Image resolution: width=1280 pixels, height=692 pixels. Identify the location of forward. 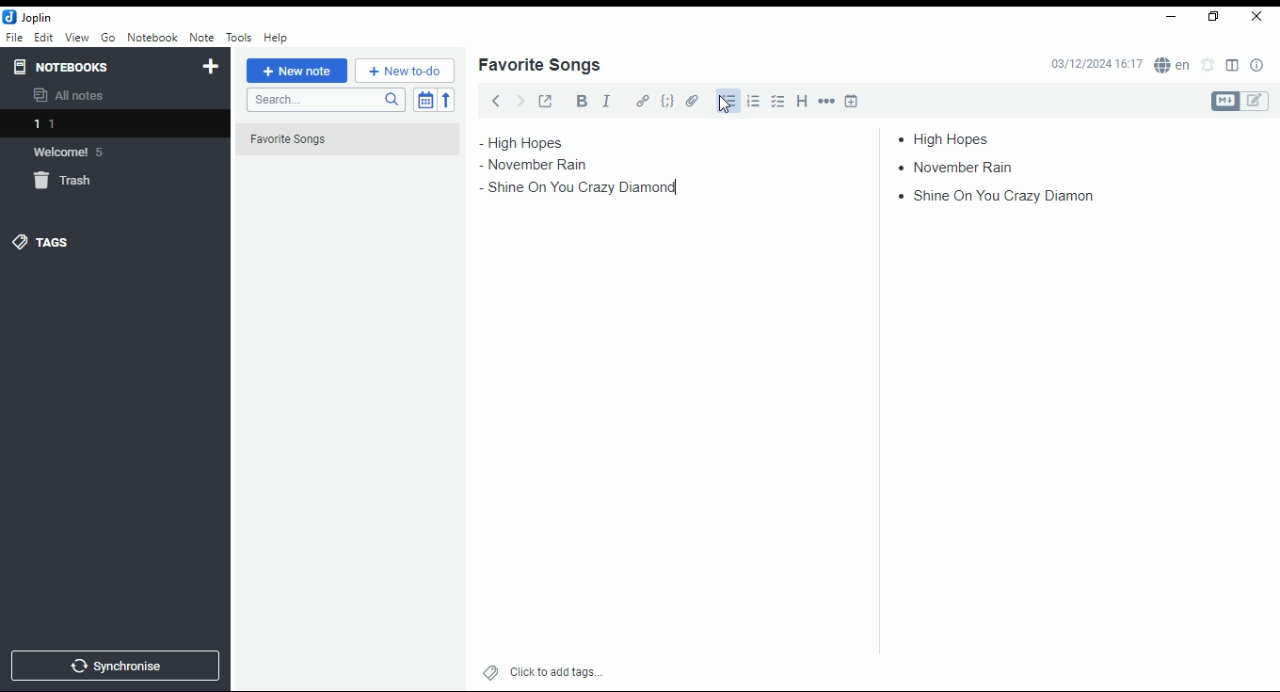
(520, 99).